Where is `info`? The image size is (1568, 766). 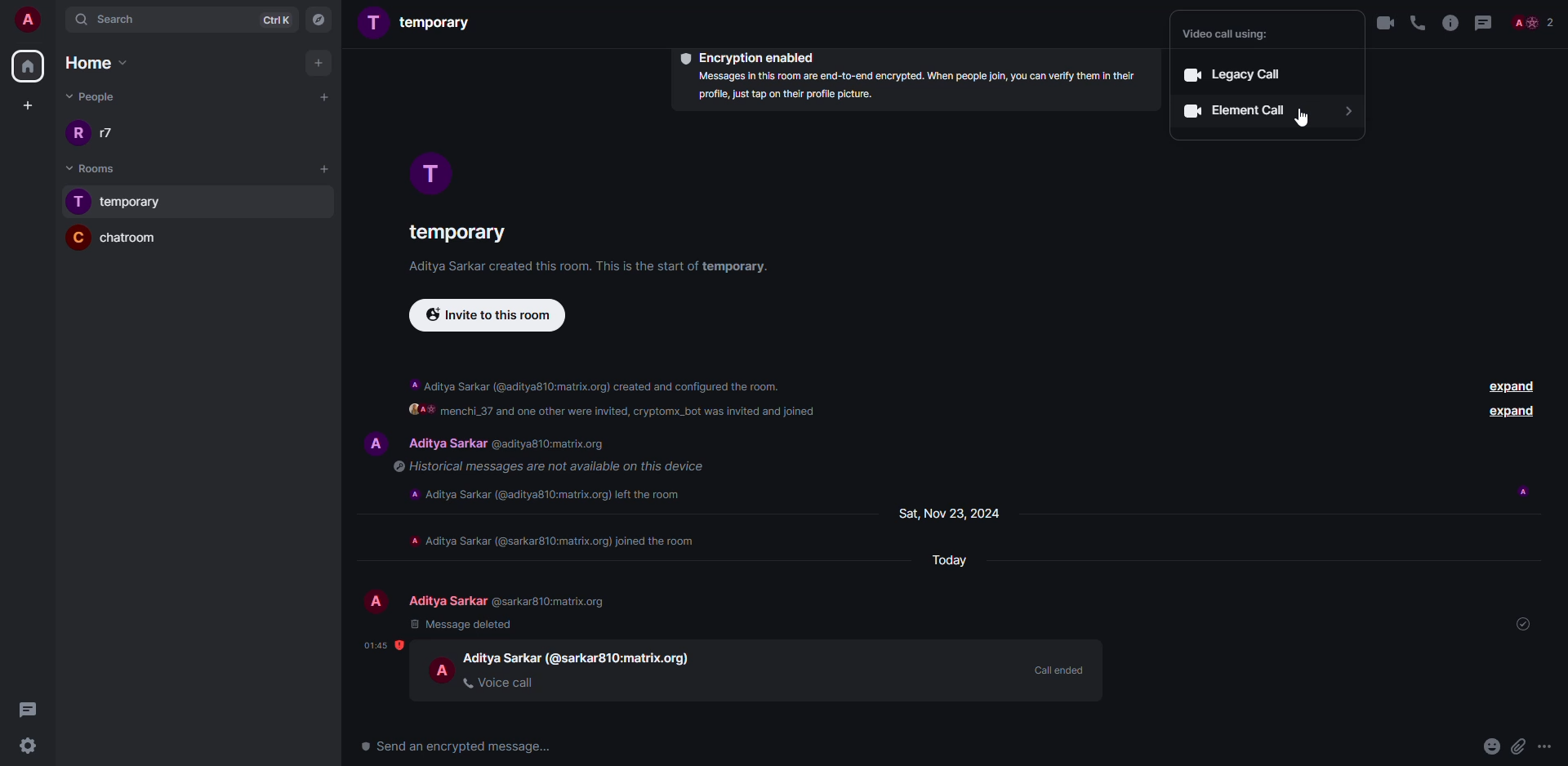 info is located at coordinates (1449, 23).